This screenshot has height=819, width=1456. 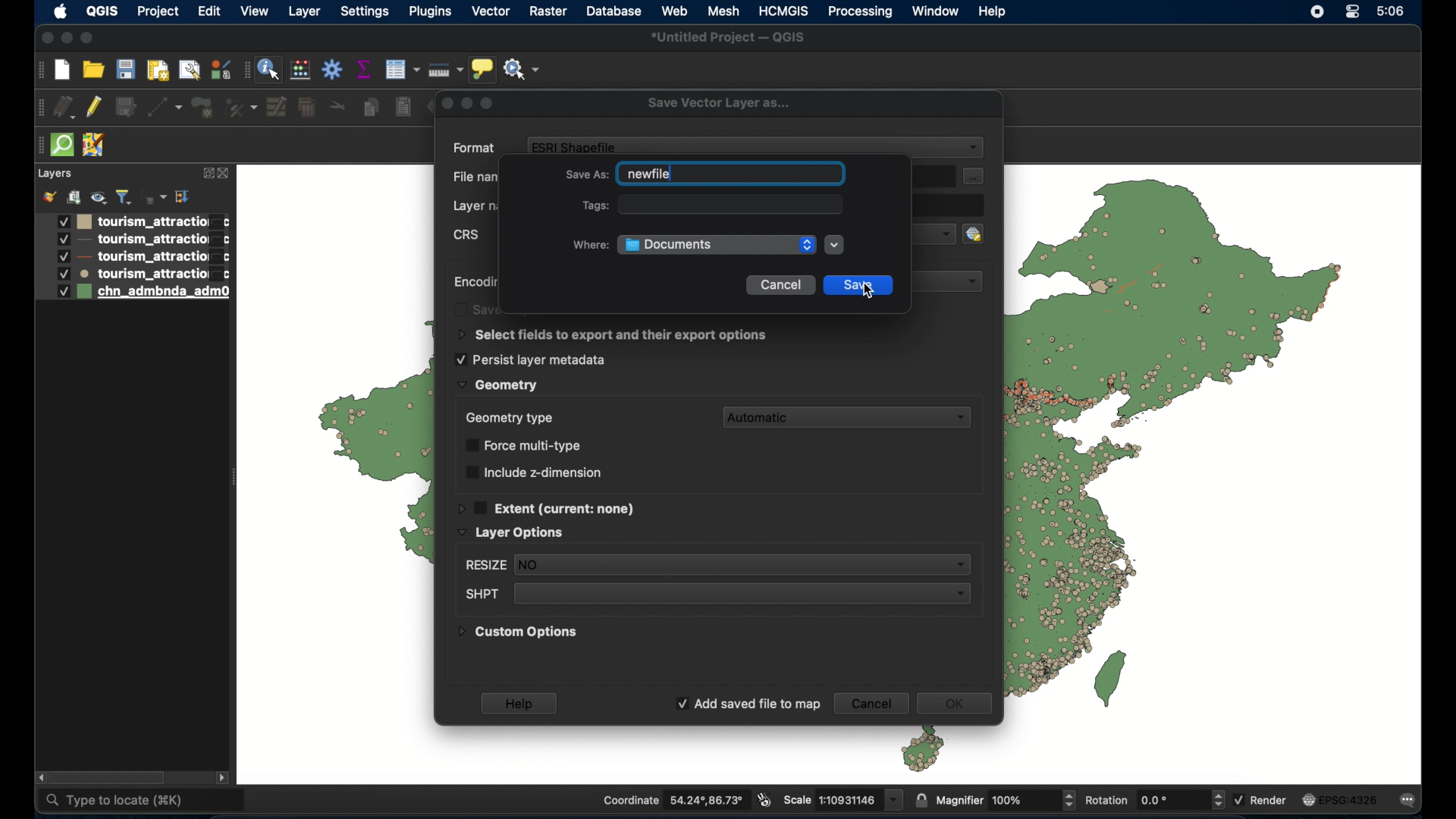 What do you see at coordinates (748, 704) in the screenshot?
I see `add saved file to map` at bounding box center [748, 704].